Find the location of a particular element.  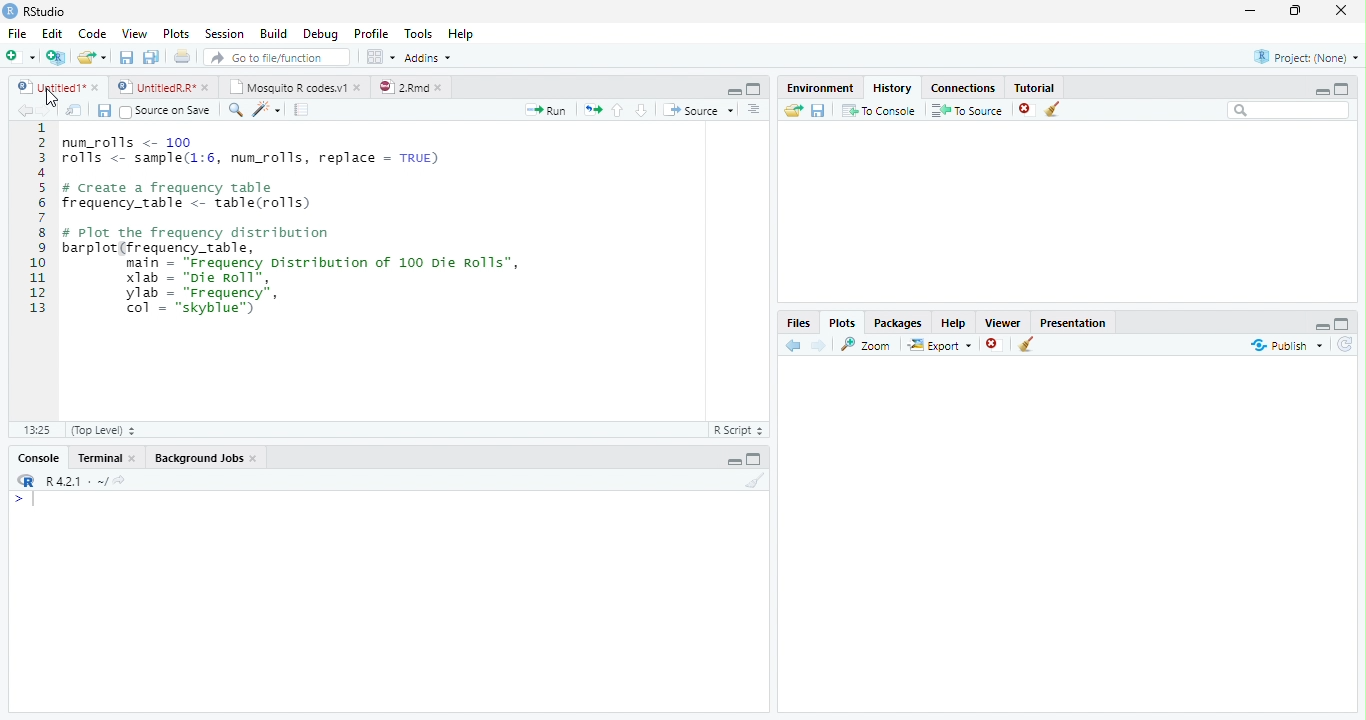

Viewer is located at coordinates (1002, 321).